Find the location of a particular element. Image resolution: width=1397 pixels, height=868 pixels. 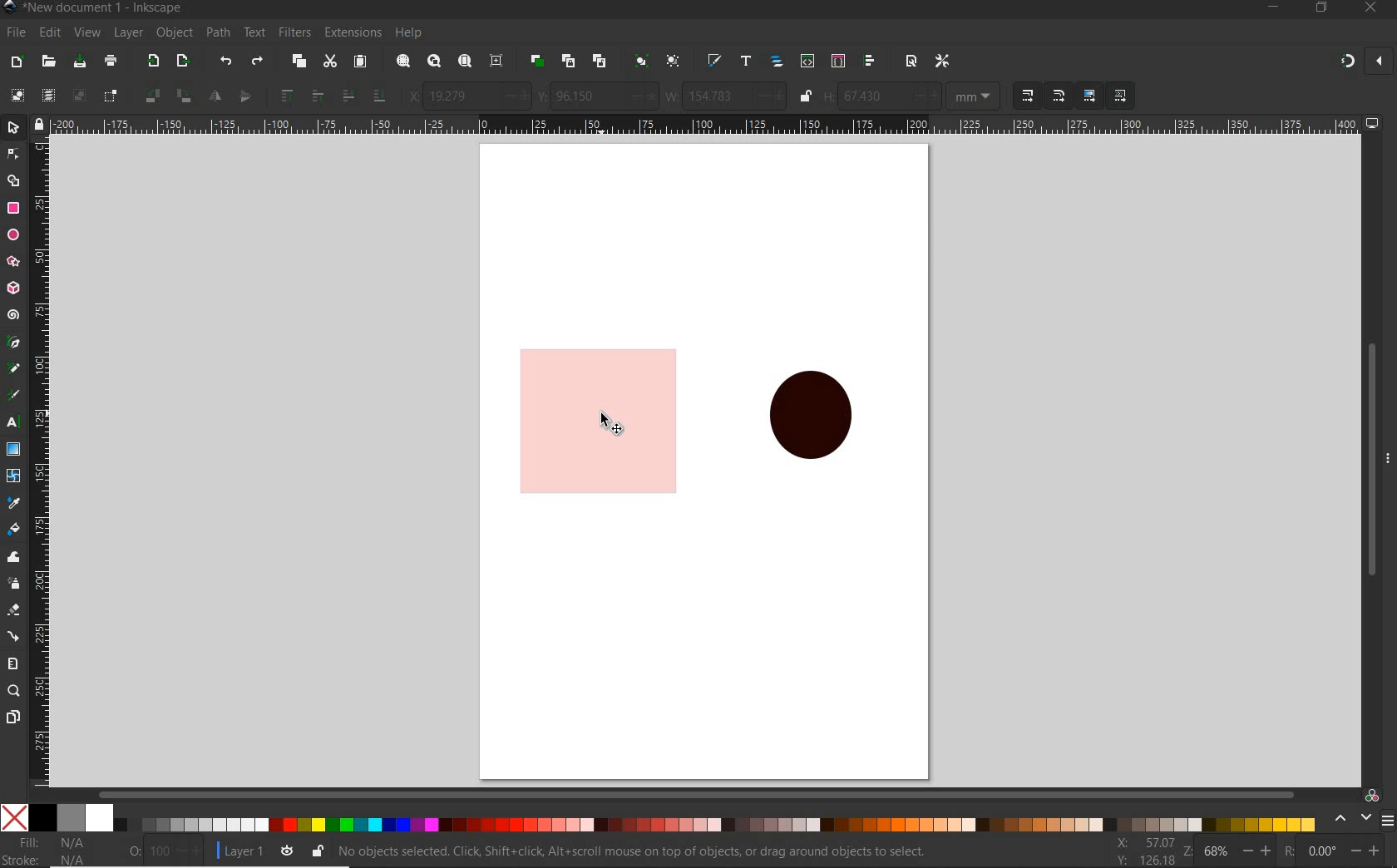

zoom drawing is located at coordinates (435, 61).